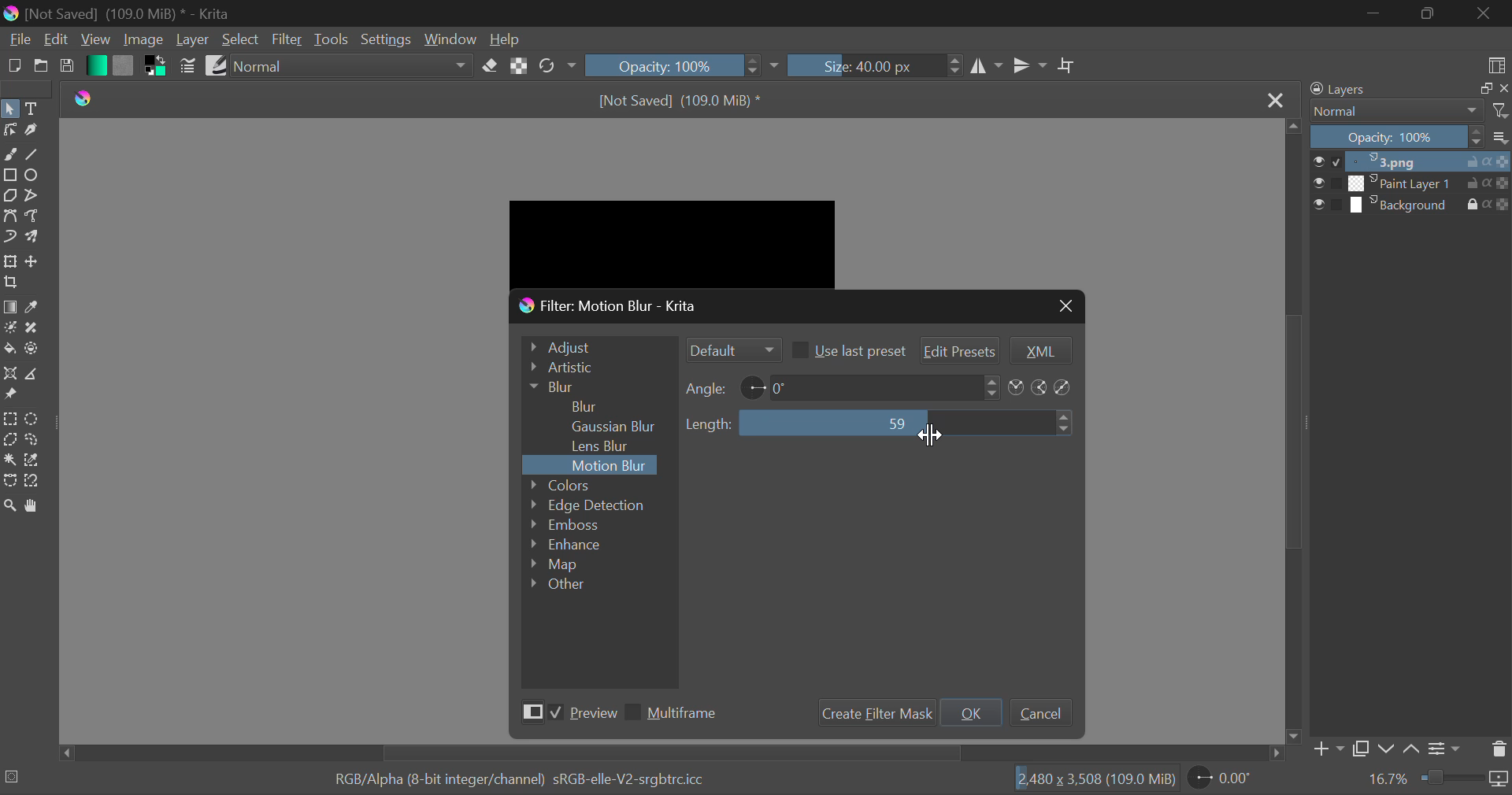  What do you see at coordinates (684, 98) in the screenshot?
I see `[Not Saved] (109.0 MiB) * ` at bounding box center [684, 98].